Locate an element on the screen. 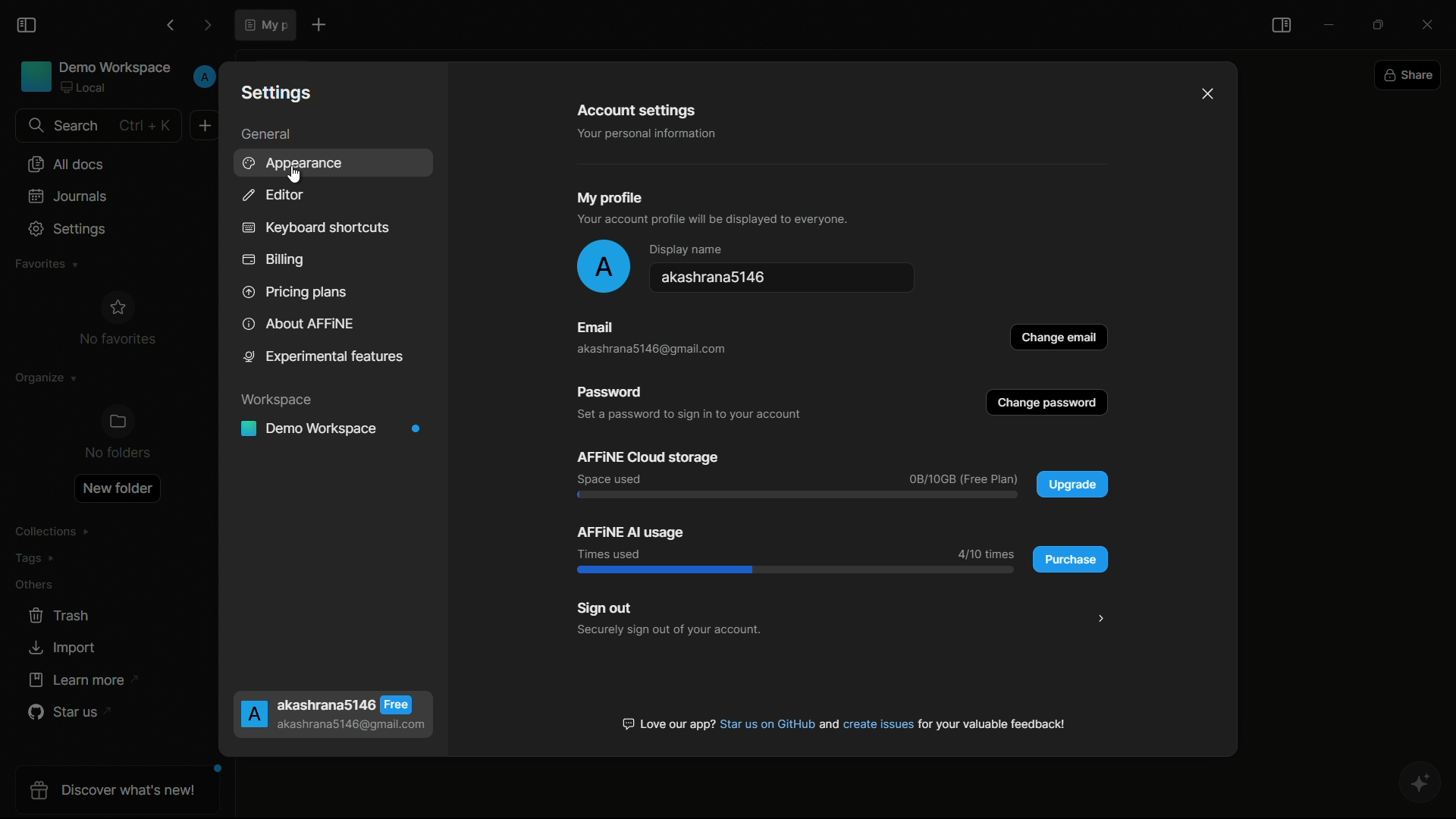  Password is located at coordinates (619, 393).